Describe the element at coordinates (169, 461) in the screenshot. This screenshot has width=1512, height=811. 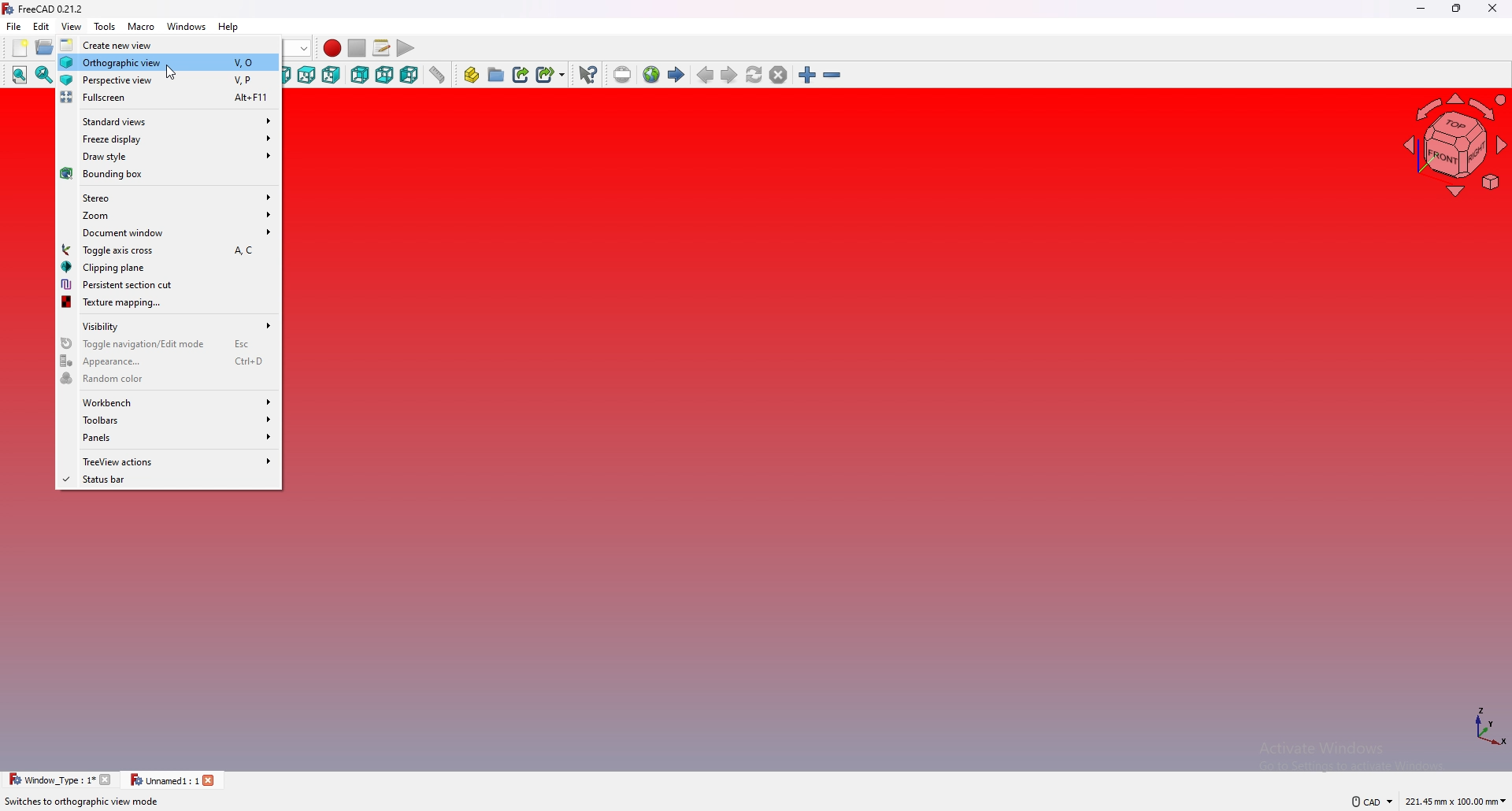
I see `treeview actions` at that location.